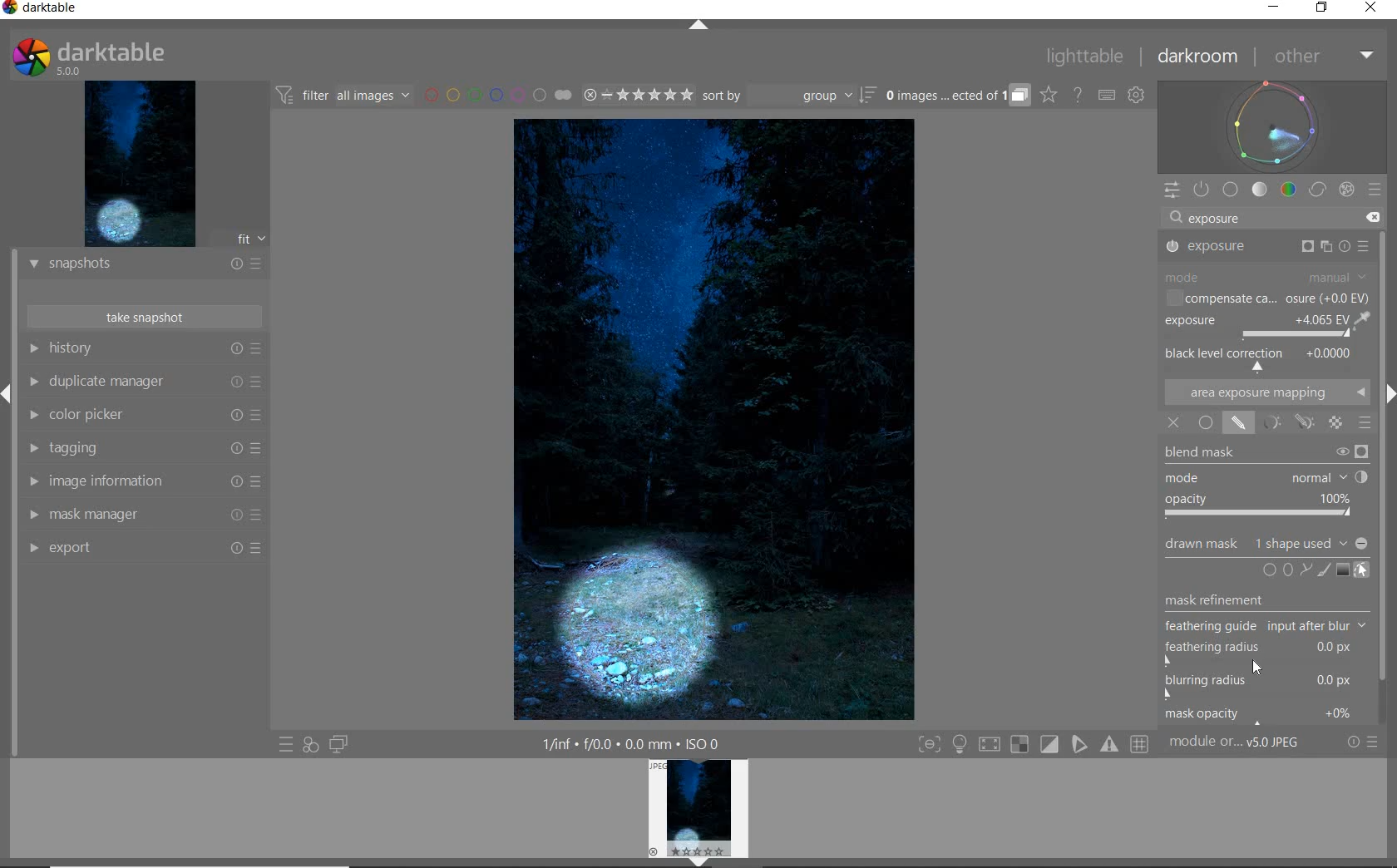 The image size is (1397, 868). Describe the element at coordinates (1202, 190) in the screenshot. I see `SHOW ONLY ACTIVE MODULES` at that location.